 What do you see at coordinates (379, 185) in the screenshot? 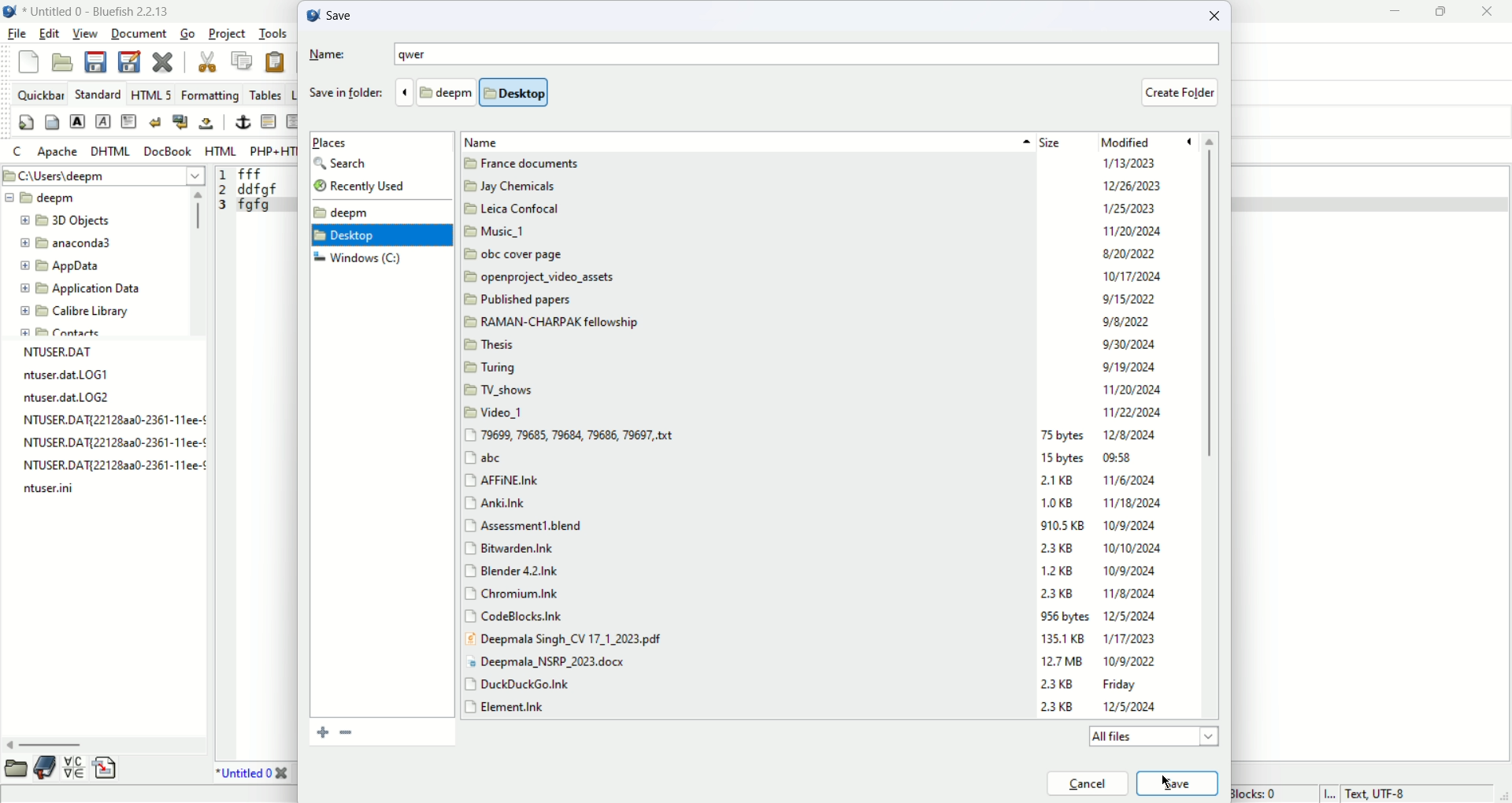
I see `recently used` at bounding box center [379, 185].